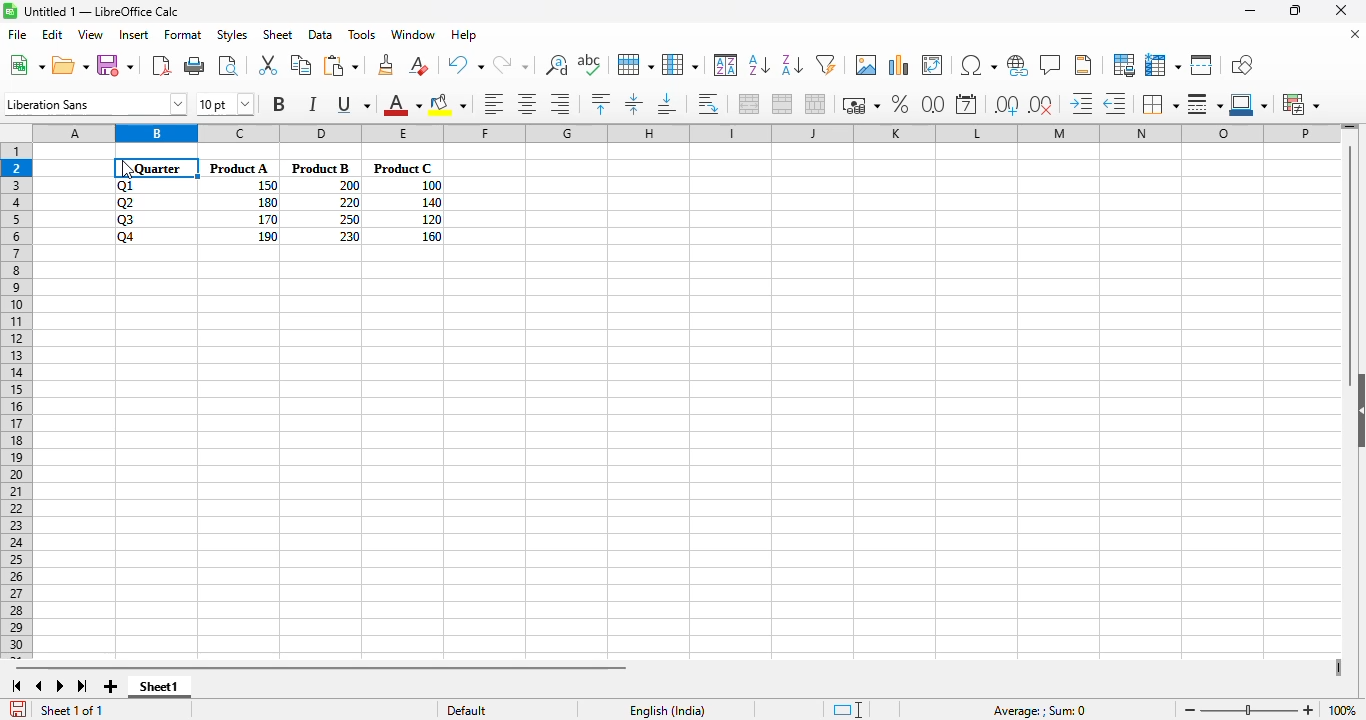  I want to click on wrap text, so click(709, 104).